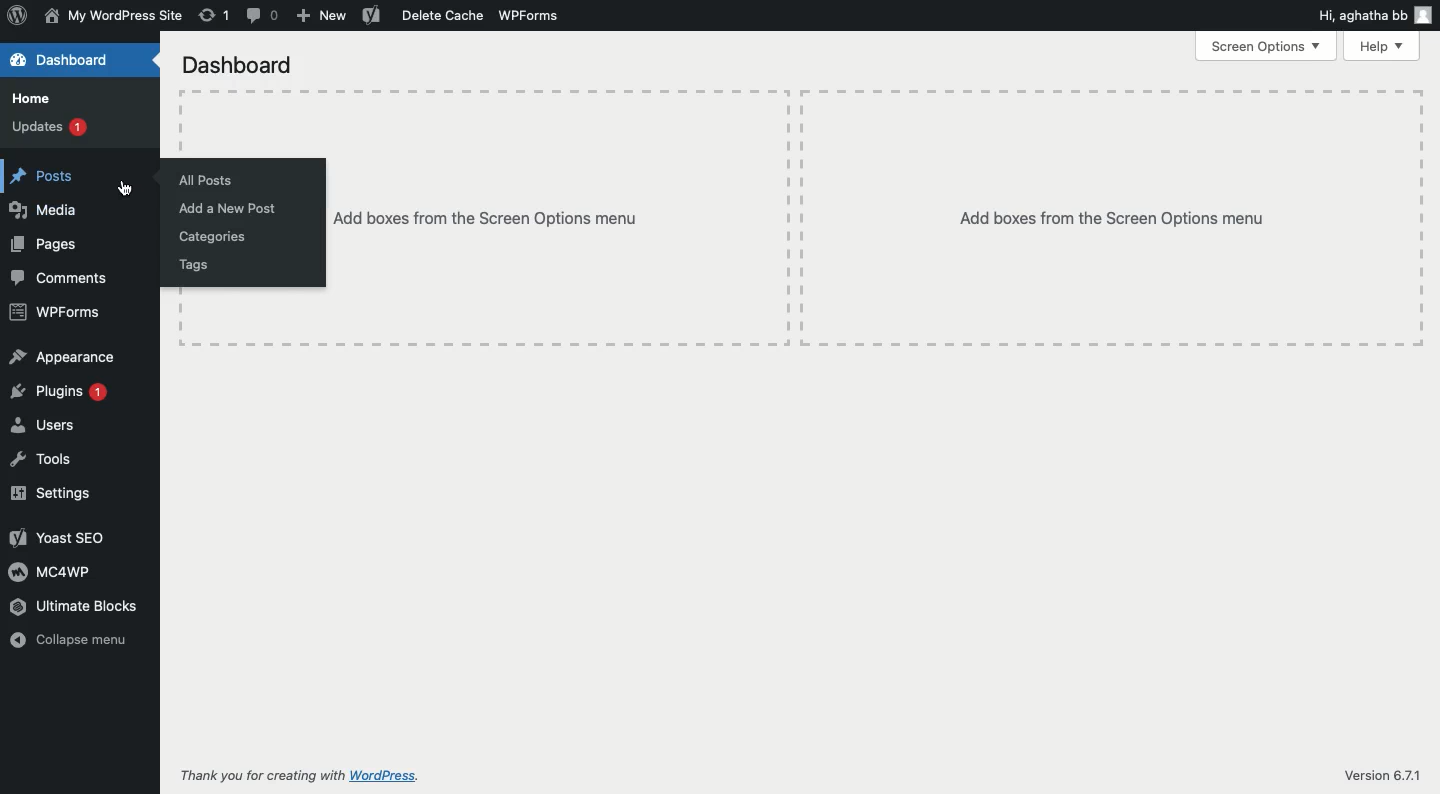  I want to click on Collapse menu , so click(82, 642).